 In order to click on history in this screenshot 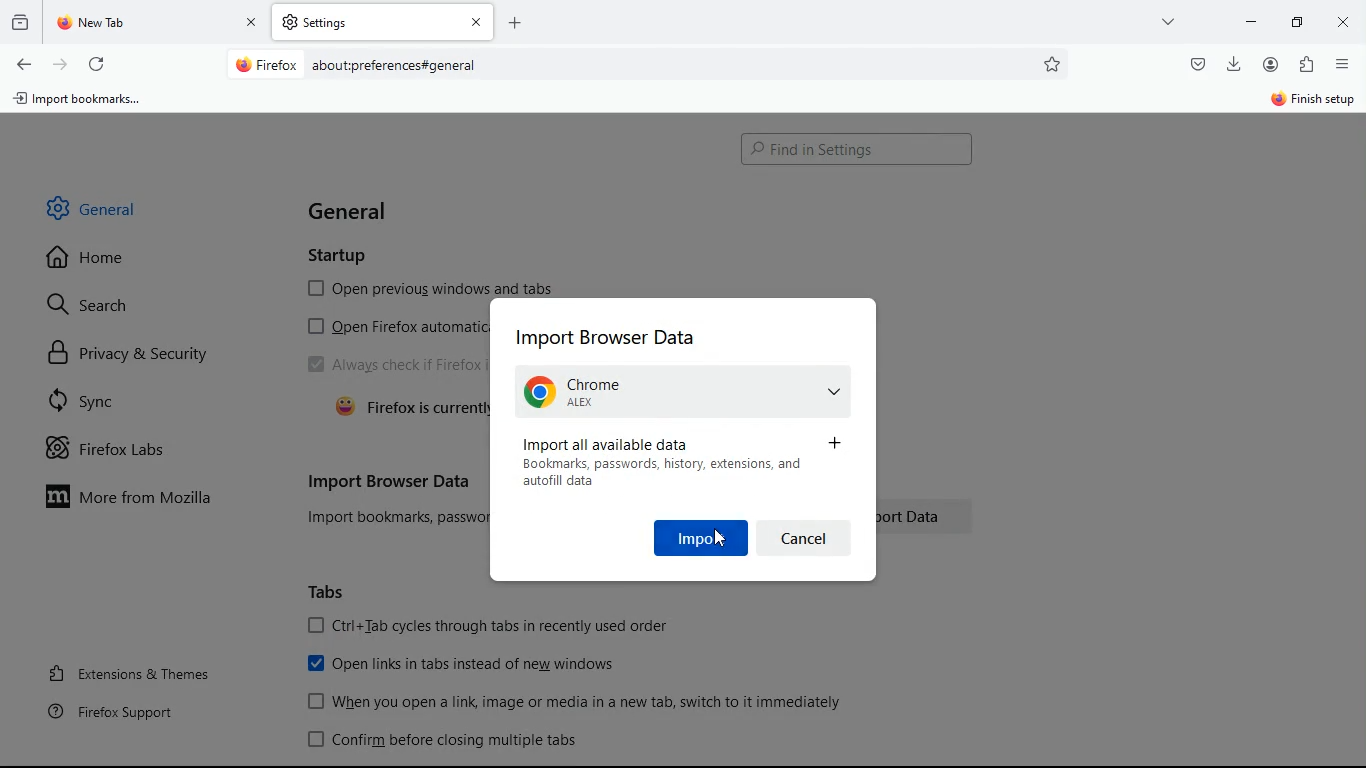, I will do `click(19, 26)`.